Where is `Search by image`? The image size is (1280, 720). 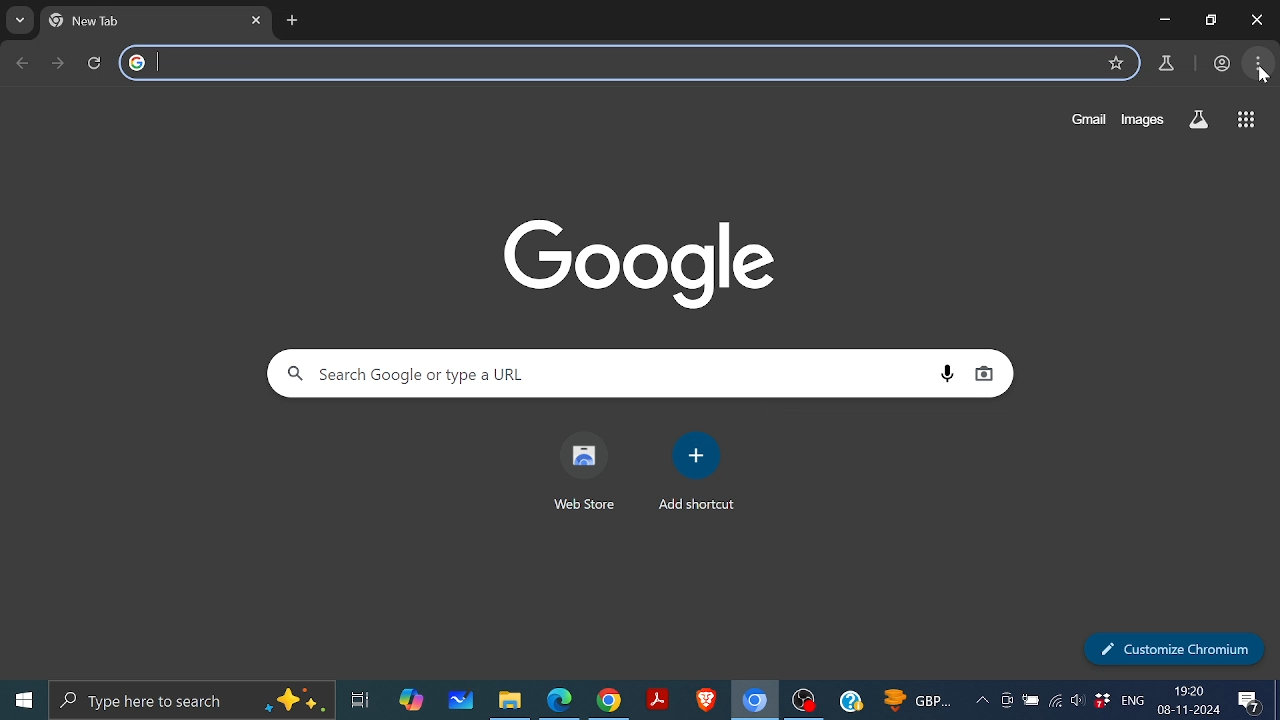 Search by image is located at coordinates (984, 374).